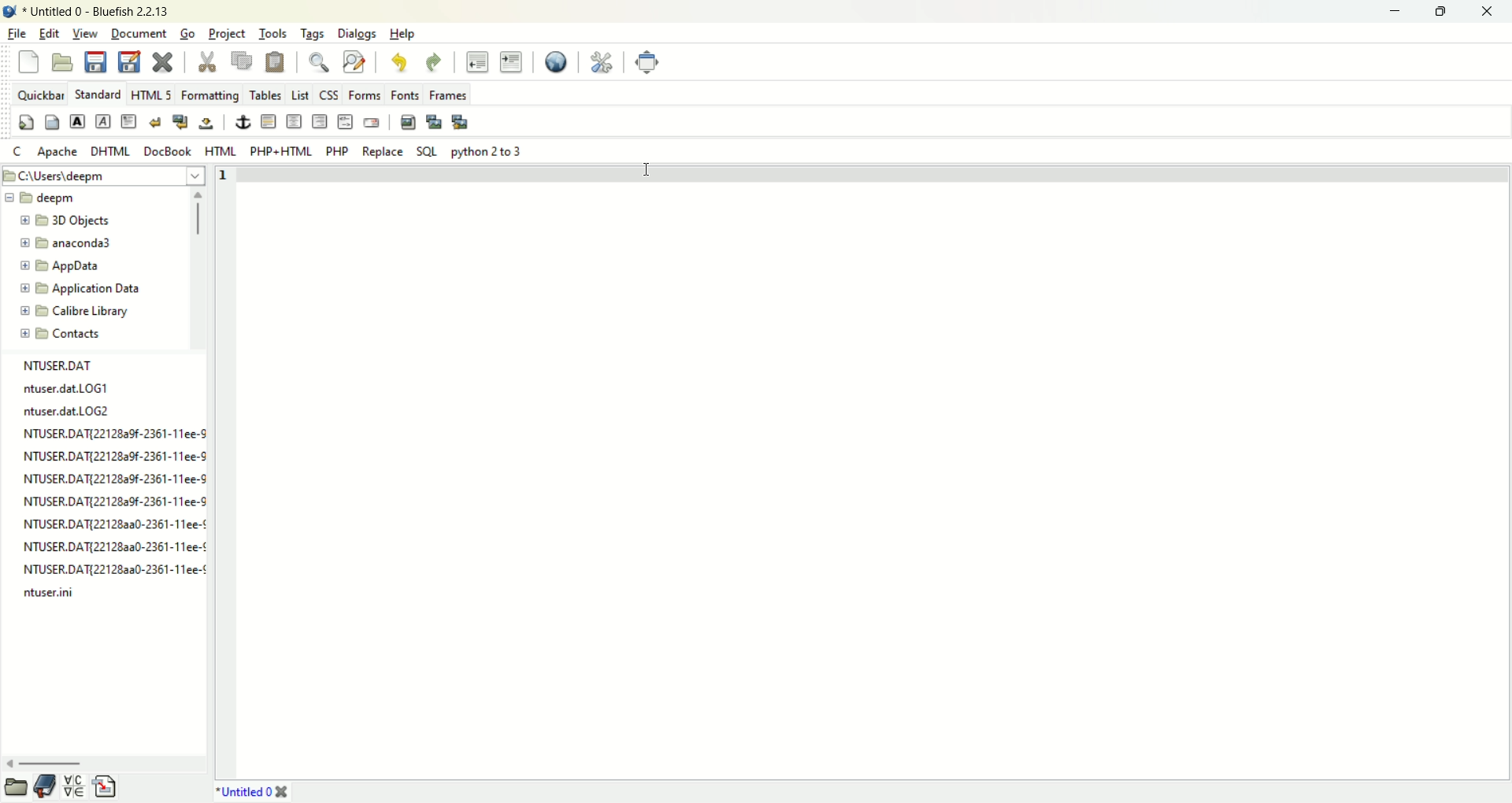 This screenshot has width=1512, height=803. I want to click on maximize, so click(1445, 11).